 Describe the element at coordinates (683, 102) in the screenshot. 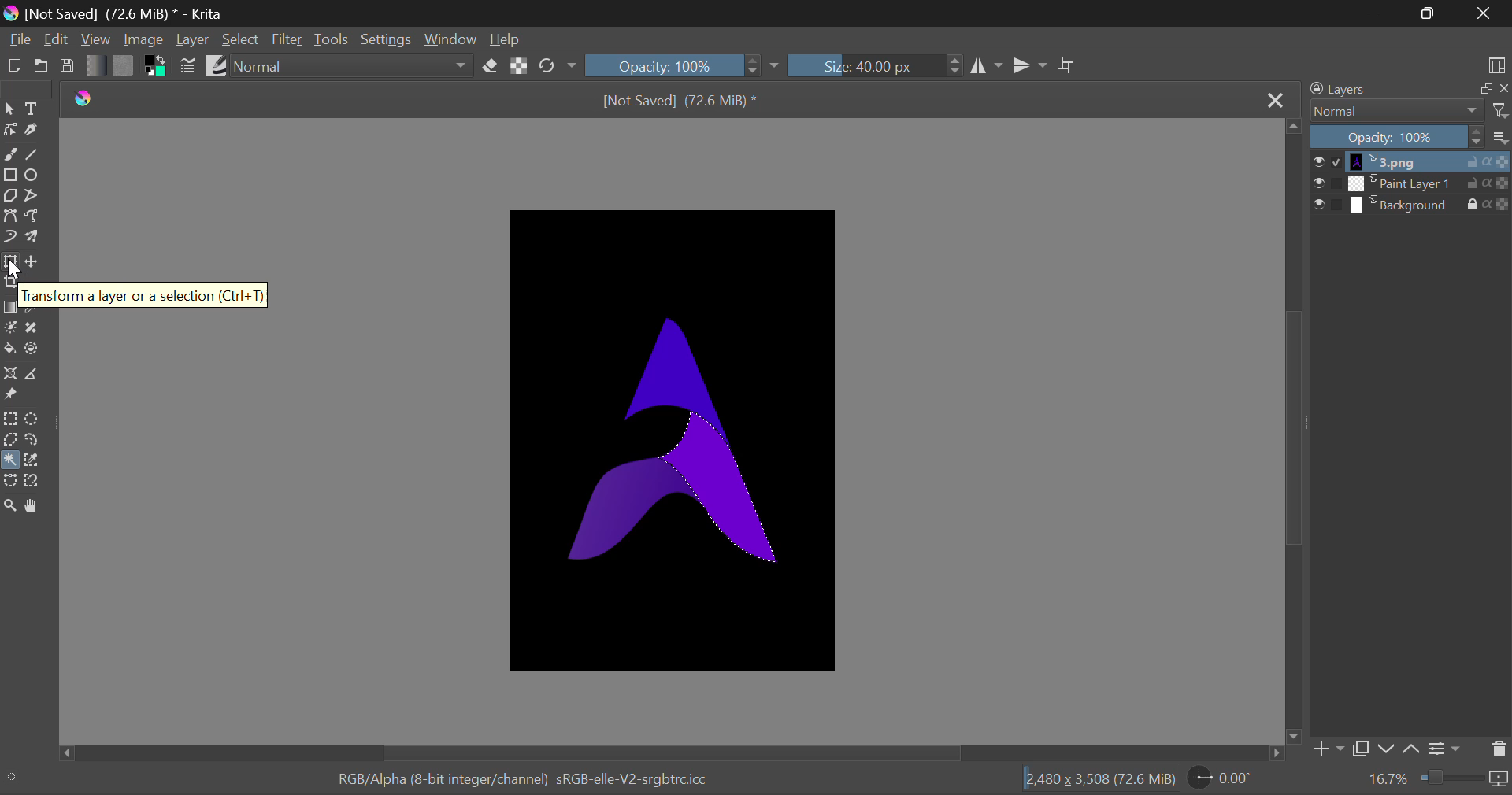

I see `[Not Saved] (71.4 MiB) *` at that location.